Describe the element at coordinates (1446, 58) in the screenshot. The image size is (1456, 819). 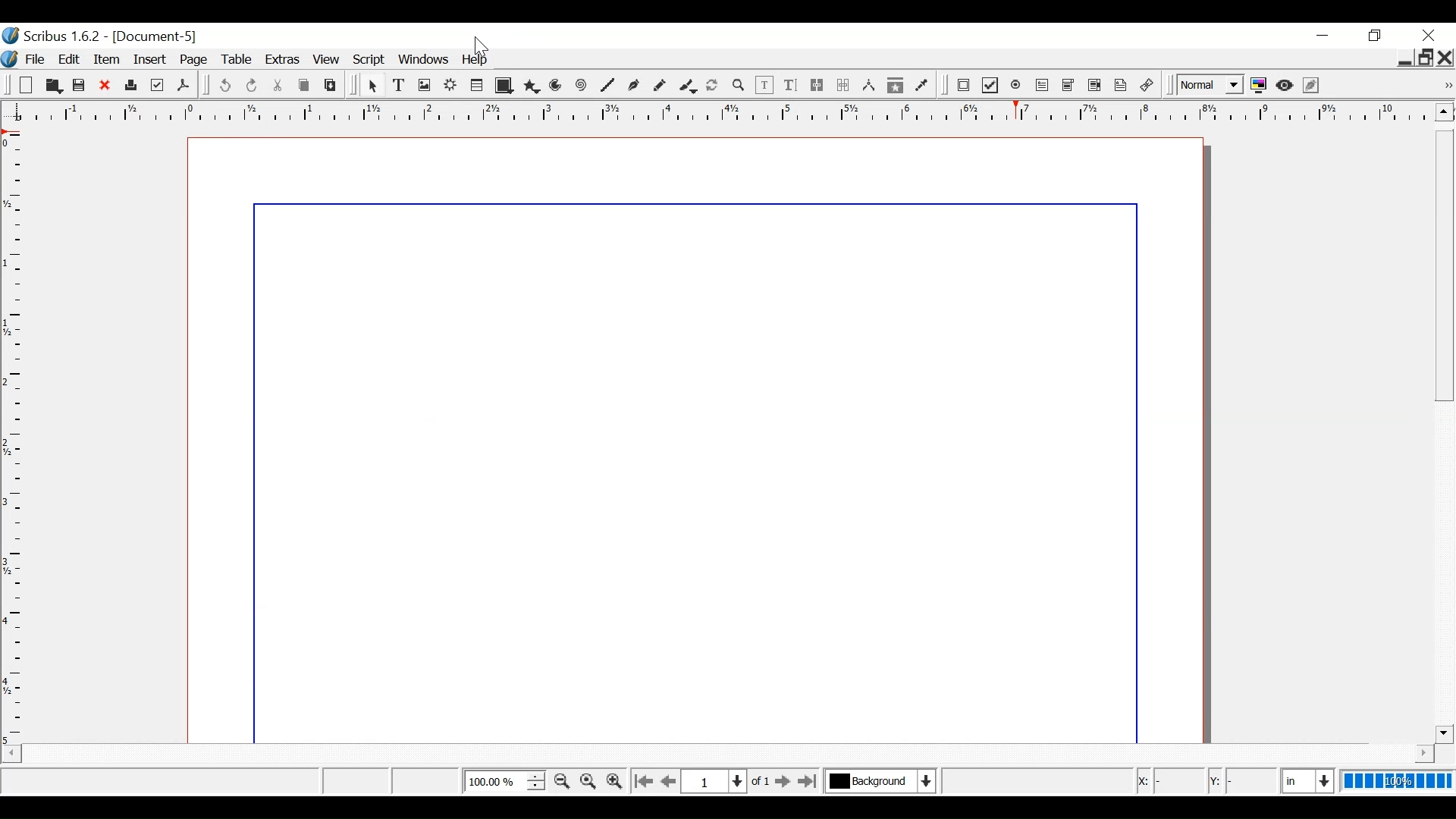
I see `Close` at that location.